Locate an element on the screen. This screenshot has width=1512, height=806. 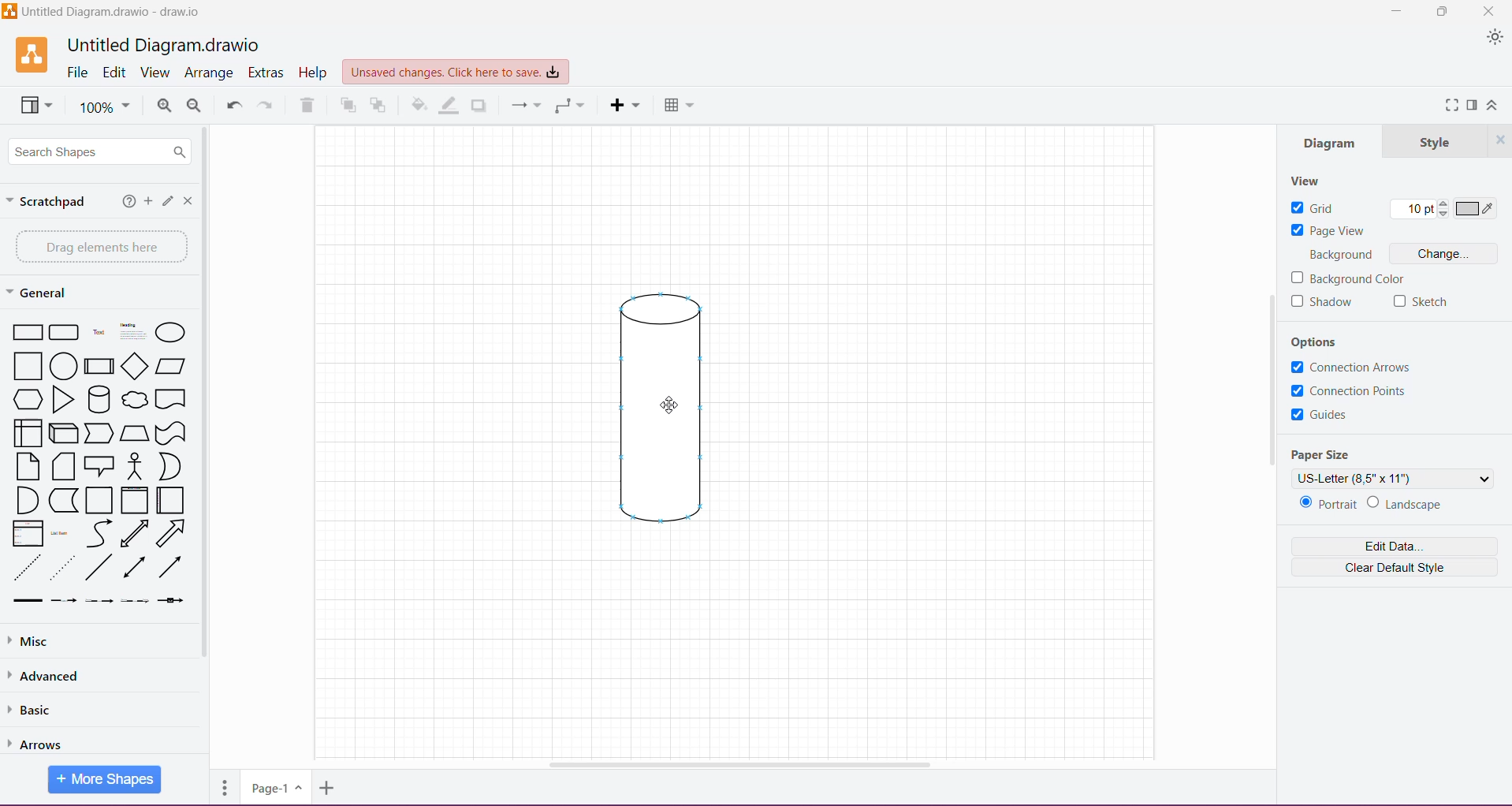
To front is located at coordinates (345, 108).